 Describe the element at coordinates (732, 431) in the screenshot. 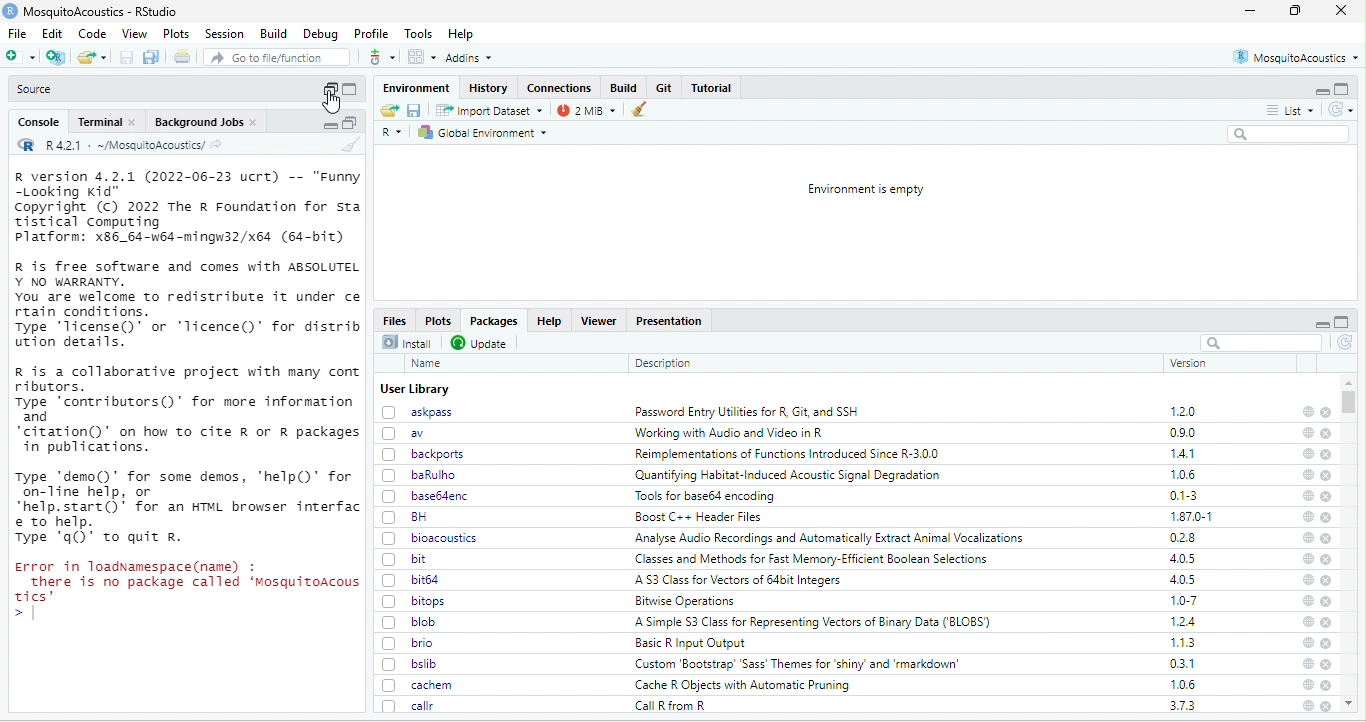

I see `‘Working with Audio and Video in R` at that location.